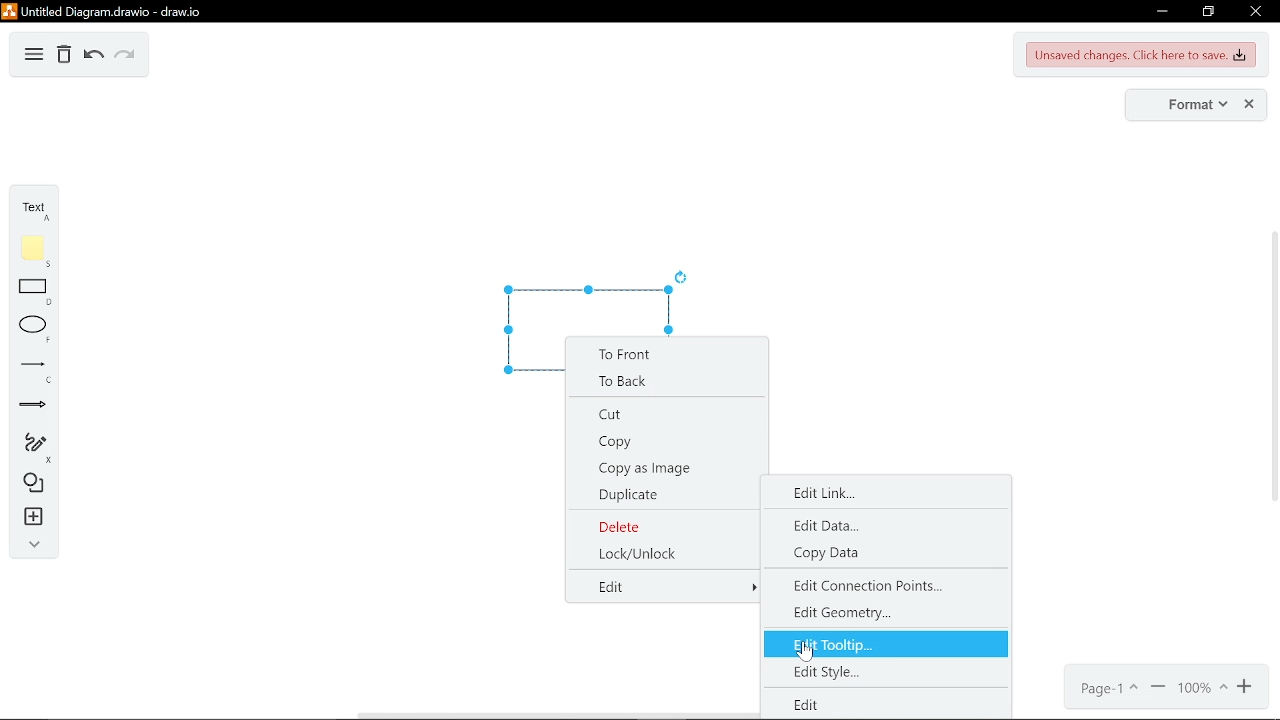 The height and width of the screenshot is (720, 1280). Describe the element at coordinates (34, 546) in the screenshot. I see `collapse` at that location.